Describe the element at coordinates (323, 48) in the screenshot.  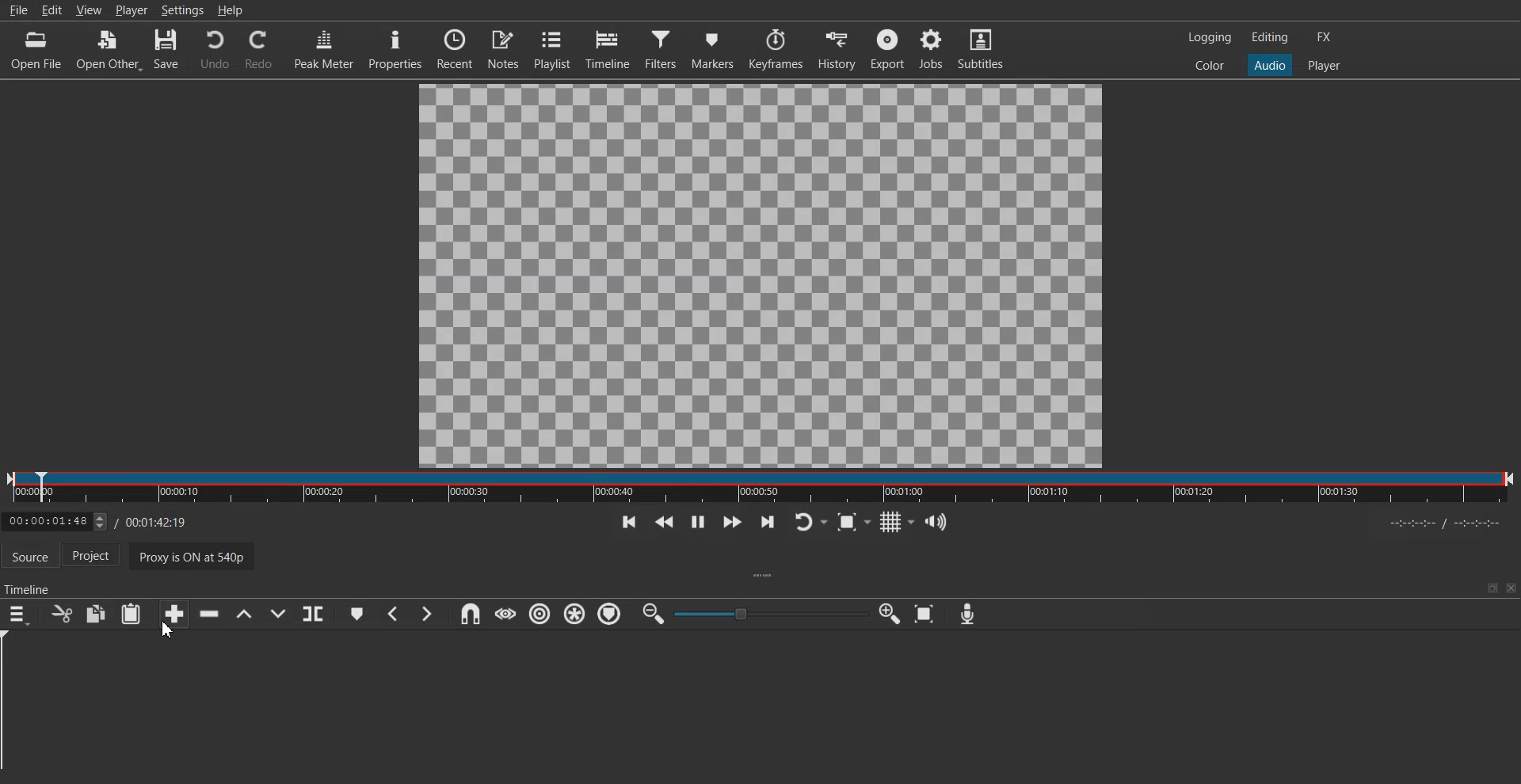
I see `Peak Meter` at that location.